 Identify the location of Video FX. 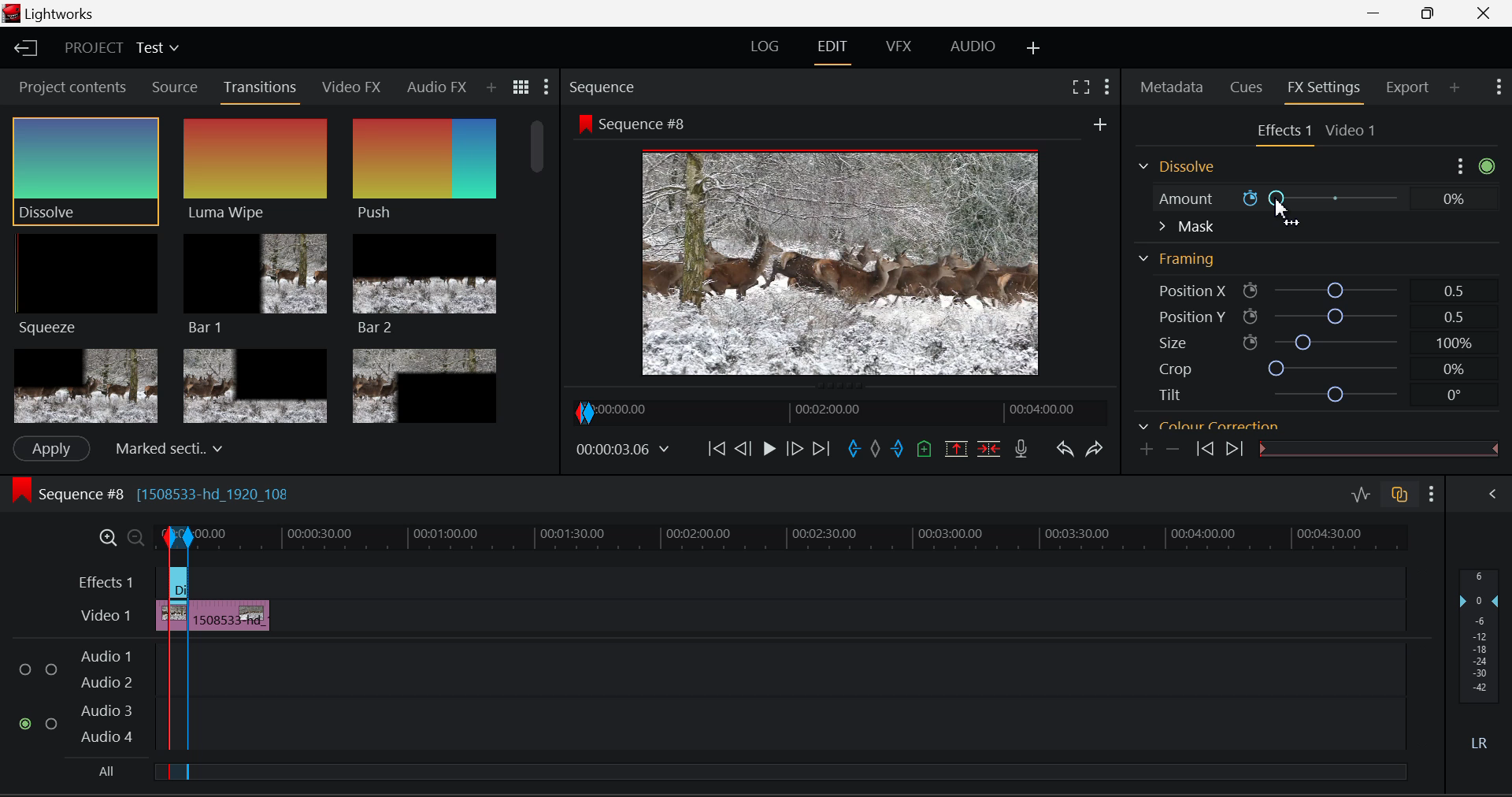
(353, 89).